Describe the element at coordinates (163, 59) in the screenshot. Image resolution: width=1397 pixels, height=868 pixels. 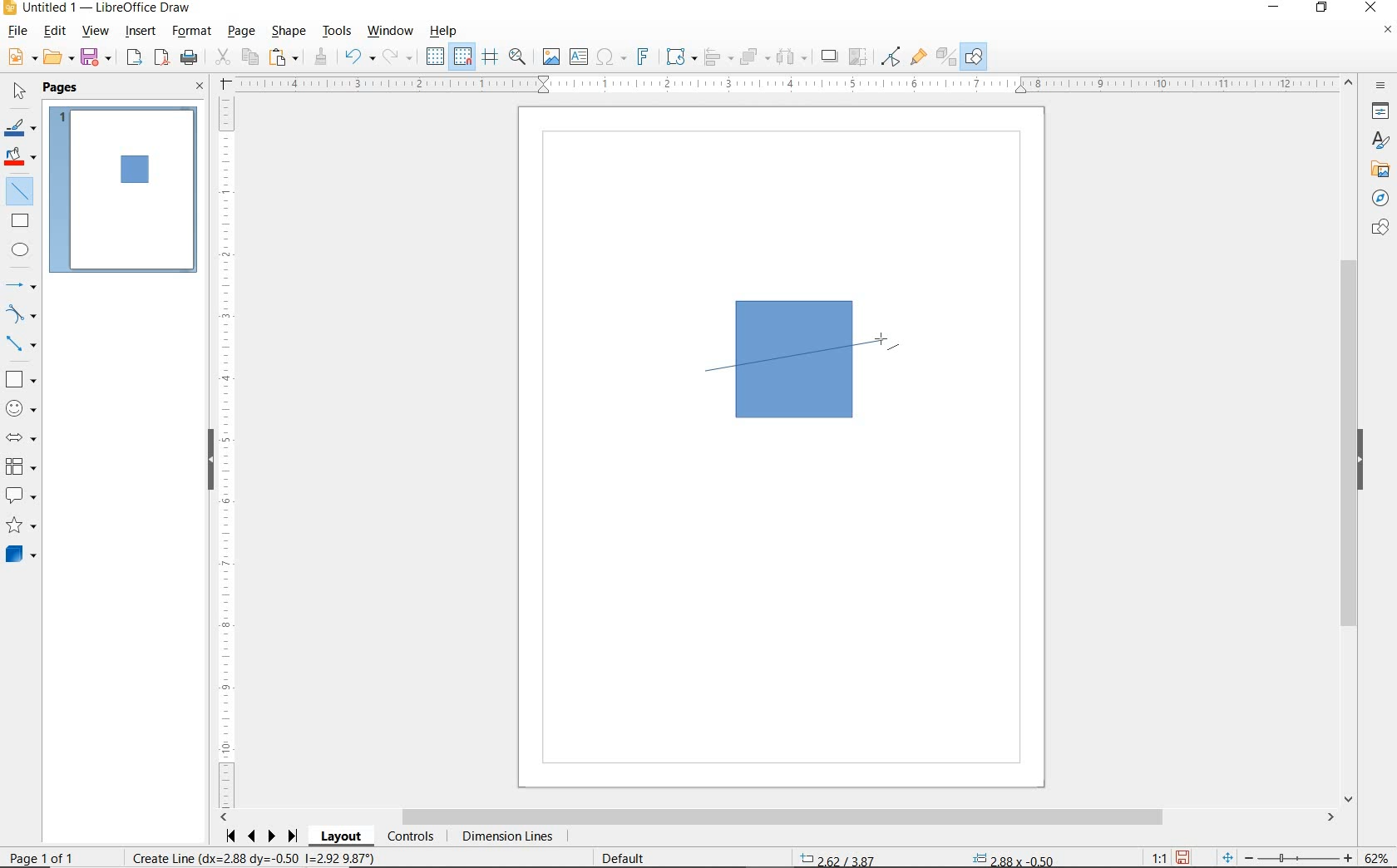
I see `EXPORT AS PDF` at that location.